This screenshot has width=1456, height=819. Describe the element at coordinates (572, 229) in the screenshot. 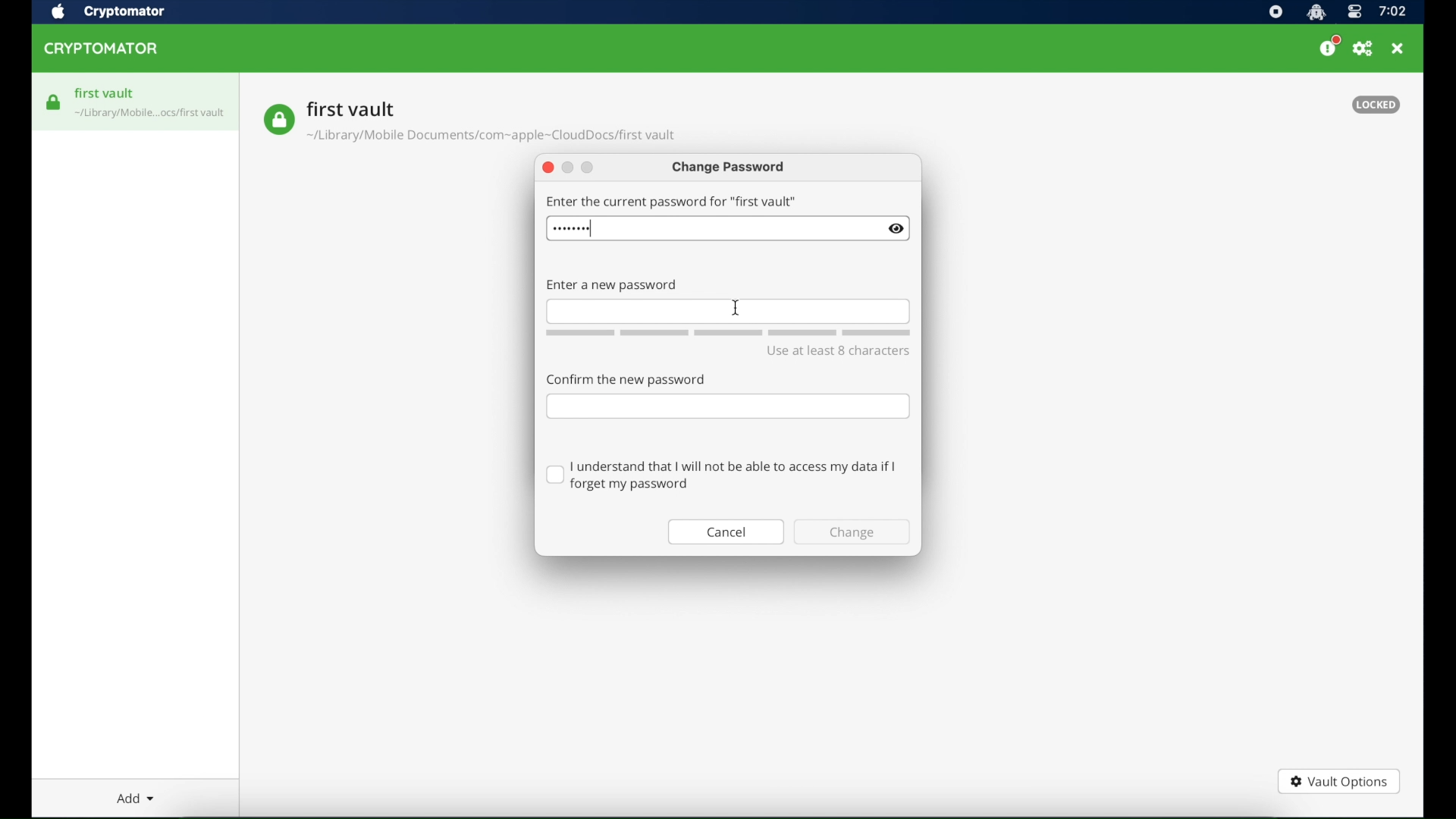

I see `hidden password` at that location.